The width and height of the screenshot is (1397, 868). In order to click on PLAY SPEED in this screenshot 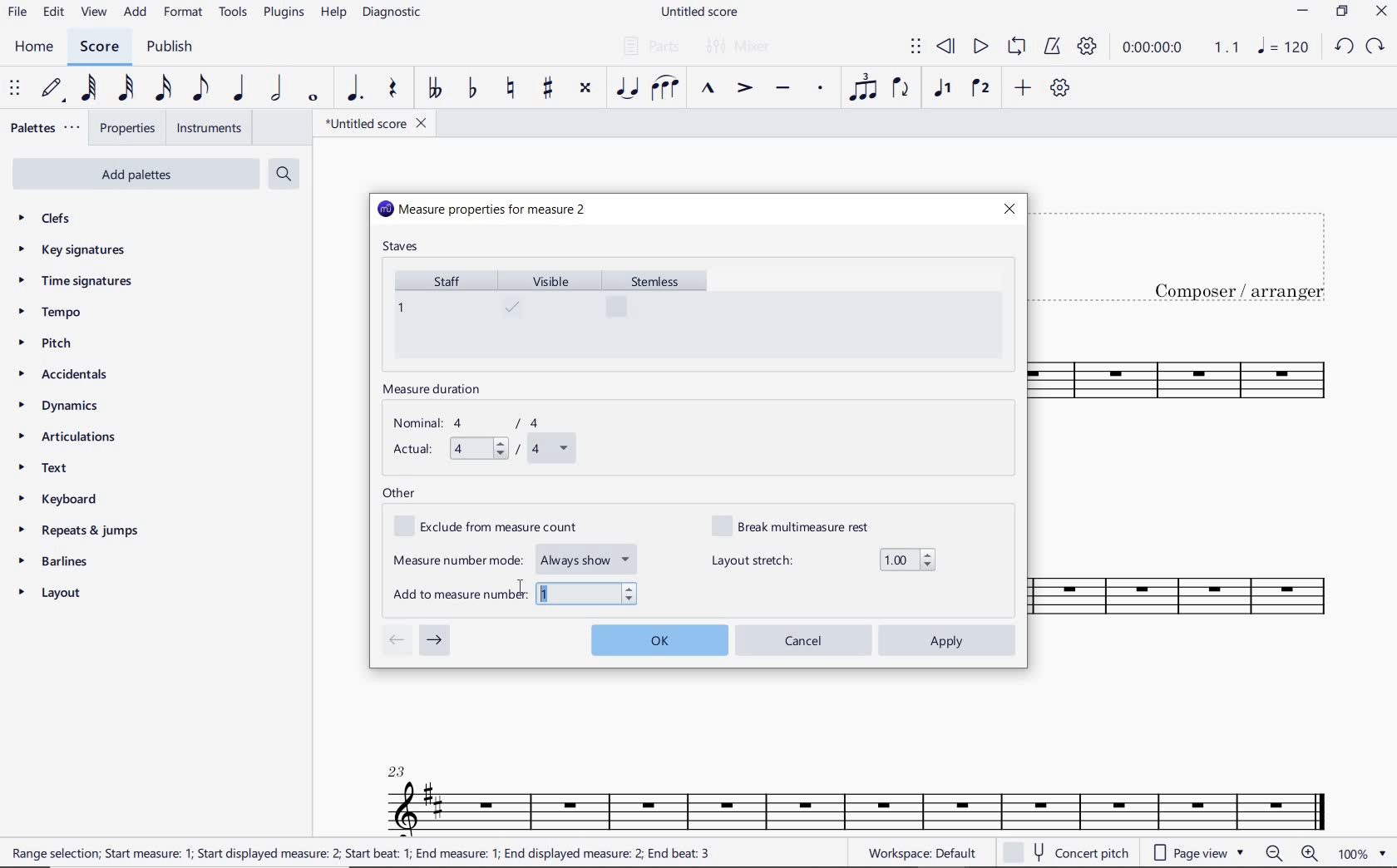, I will do `click(1181, 49)`.